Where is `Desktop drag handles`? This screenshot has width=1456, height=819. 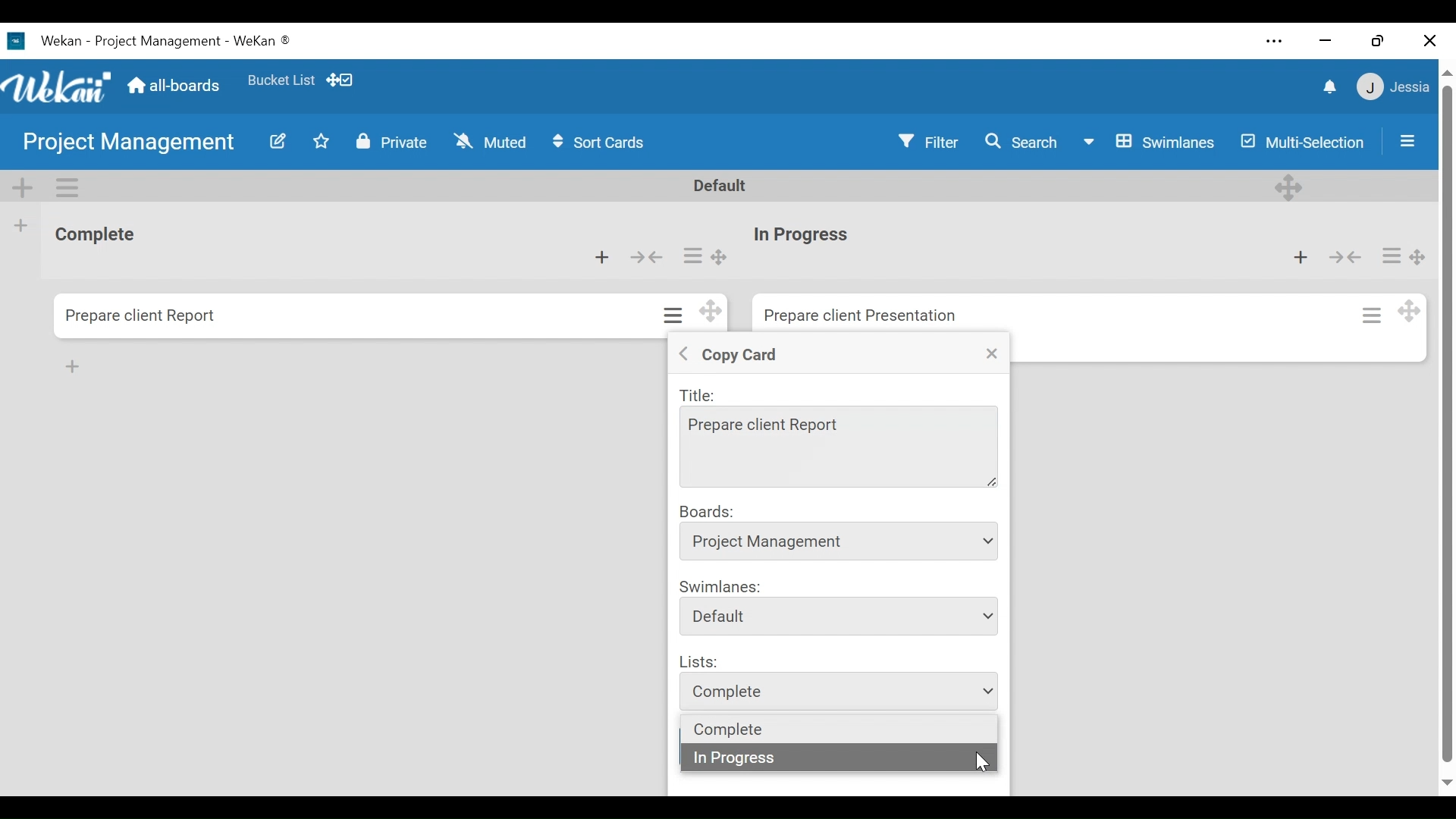 Desktop drag handles is located at coordinates (711, 311).